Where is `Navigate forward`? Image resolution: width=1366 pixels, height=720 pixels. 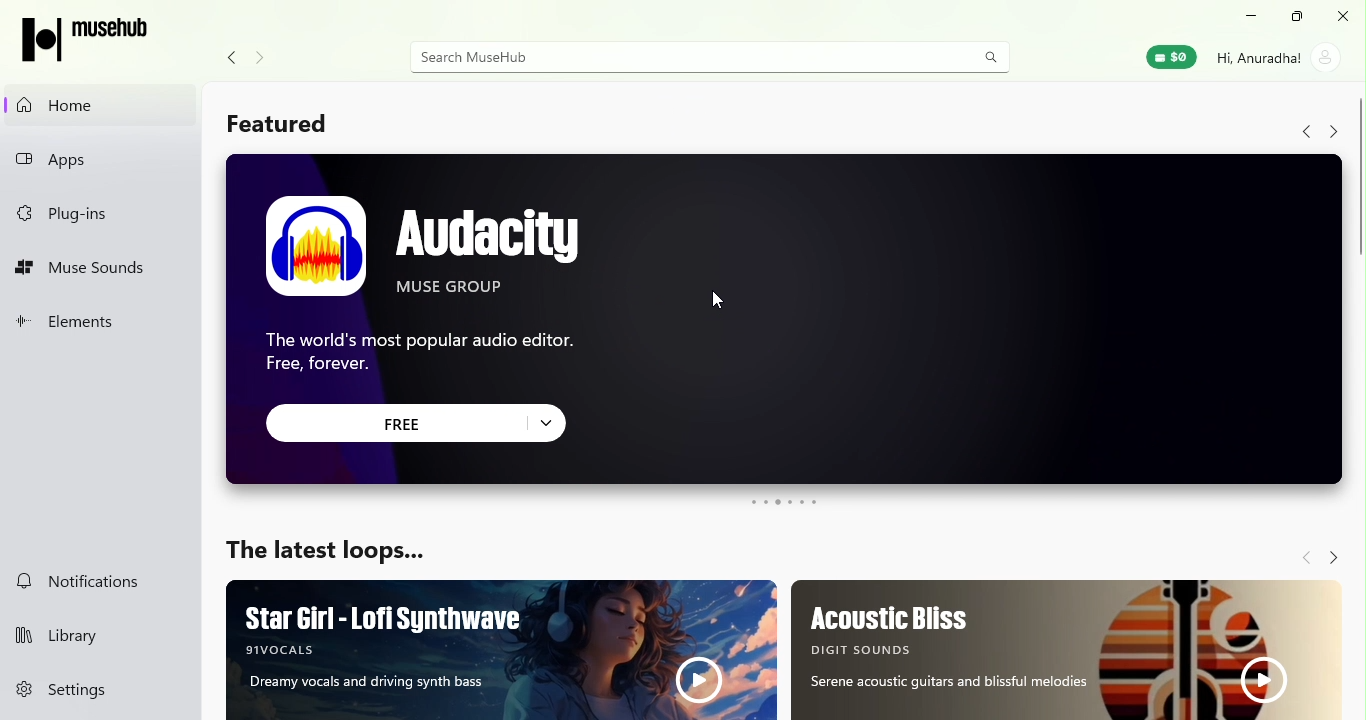 Navigate forward is located at coordinates (1336, 559).